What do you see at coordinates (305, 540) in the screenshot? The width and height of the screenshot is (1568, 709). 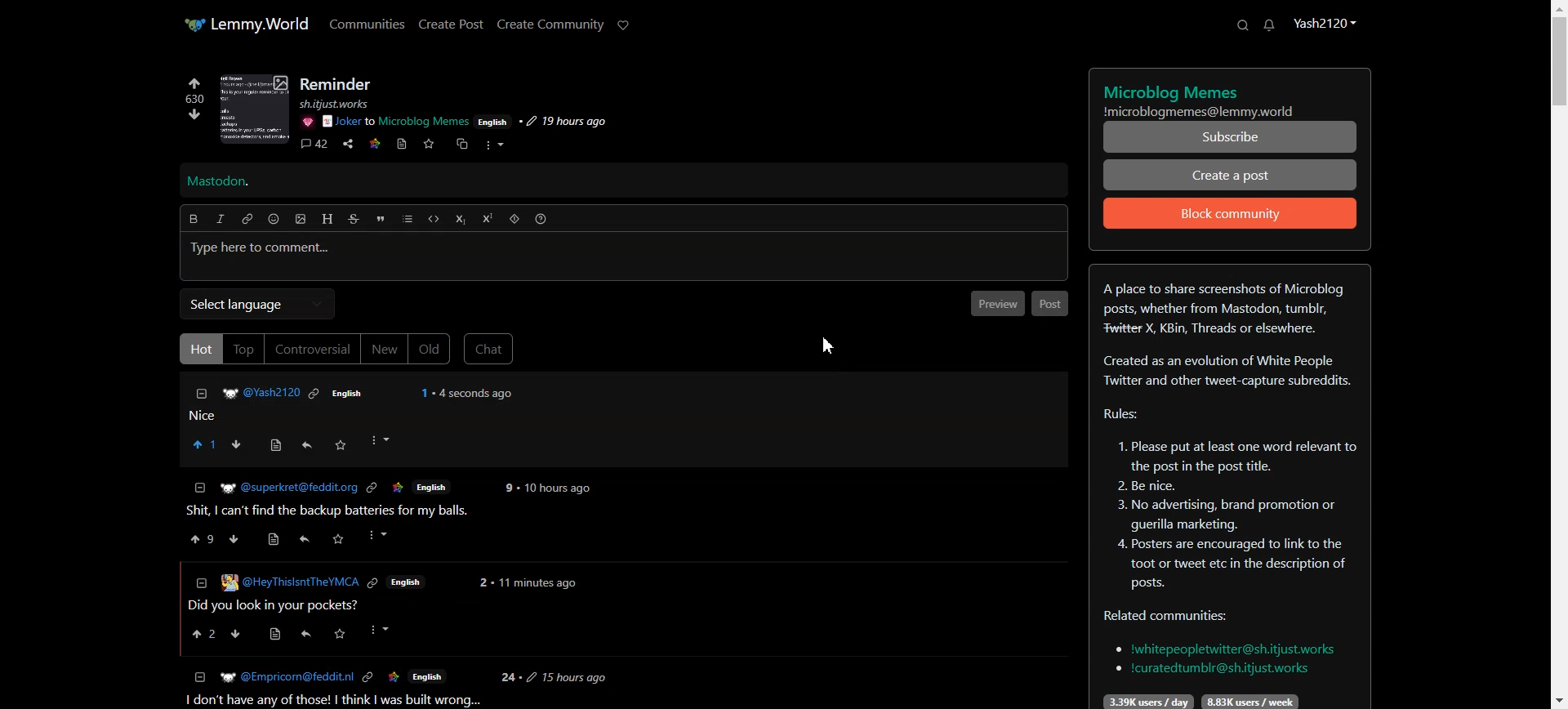 I see `` at bounding box center [305, 540].